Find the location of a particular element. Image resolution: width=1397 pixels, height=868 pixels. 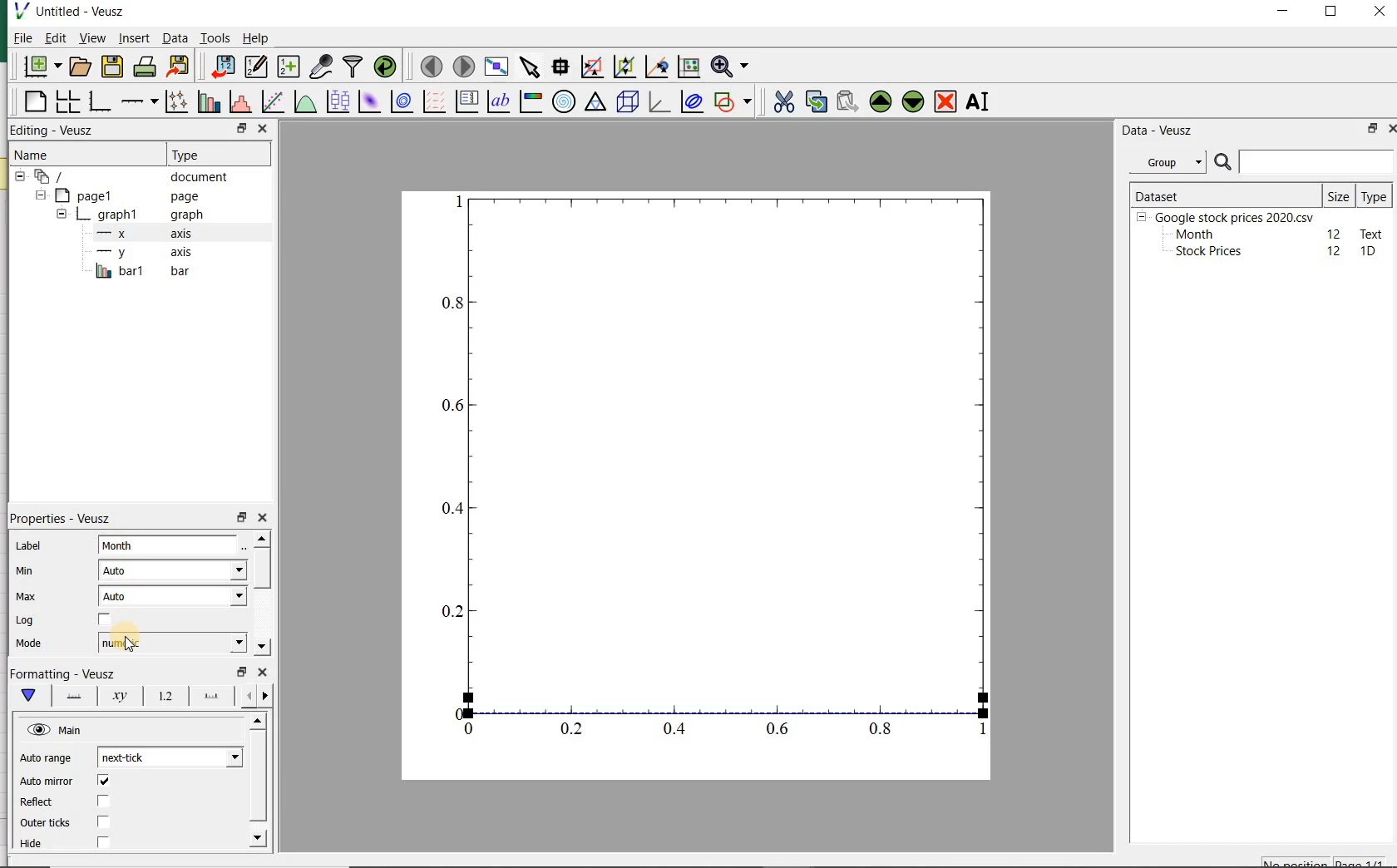

move to the next page is located at coordinates (464, 67).